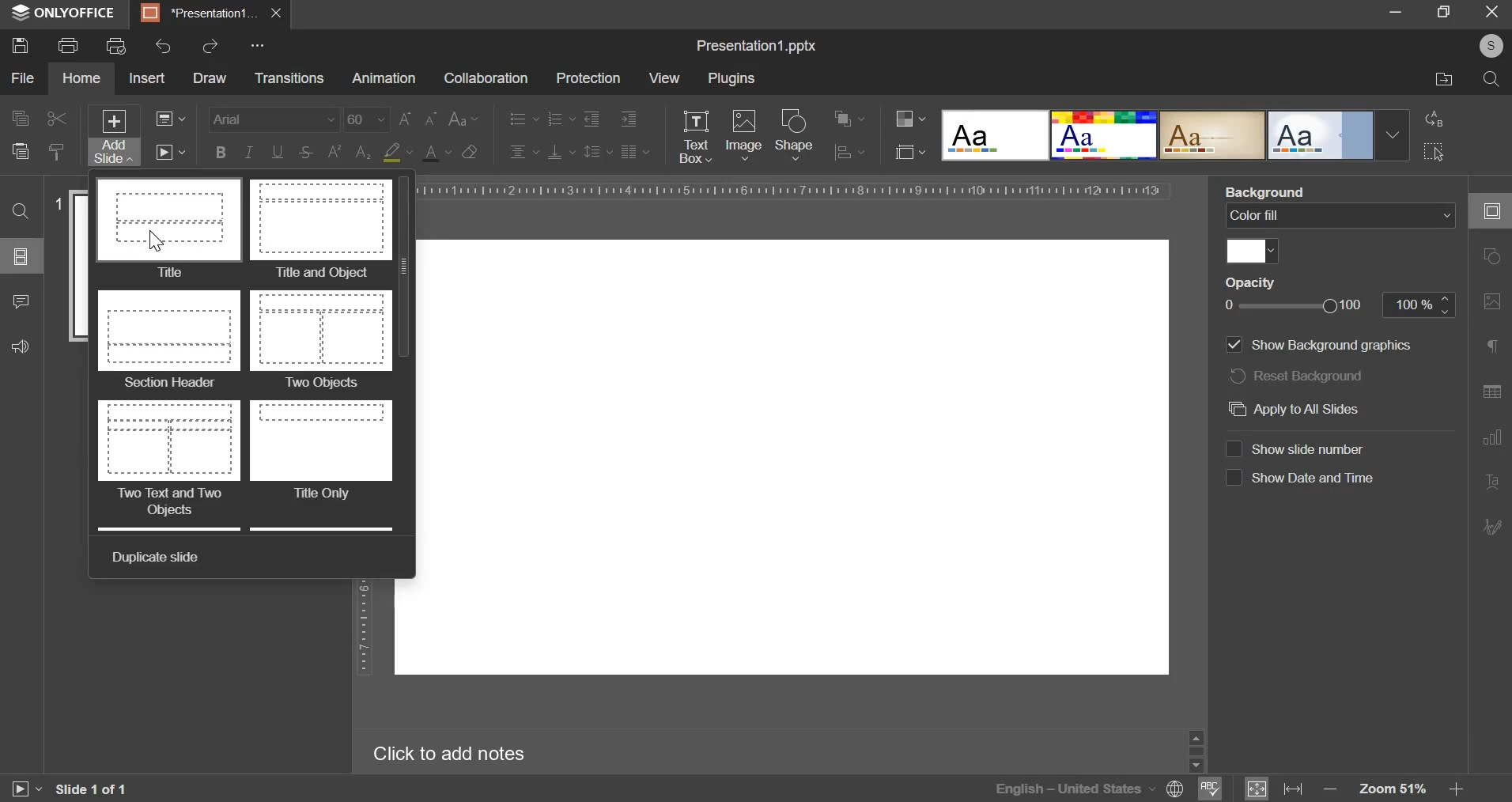 The image size is (1512, 802). Describe the element at coordinates (260, 45) in the screenshot. I see `configure quick access toolbar` at that location.